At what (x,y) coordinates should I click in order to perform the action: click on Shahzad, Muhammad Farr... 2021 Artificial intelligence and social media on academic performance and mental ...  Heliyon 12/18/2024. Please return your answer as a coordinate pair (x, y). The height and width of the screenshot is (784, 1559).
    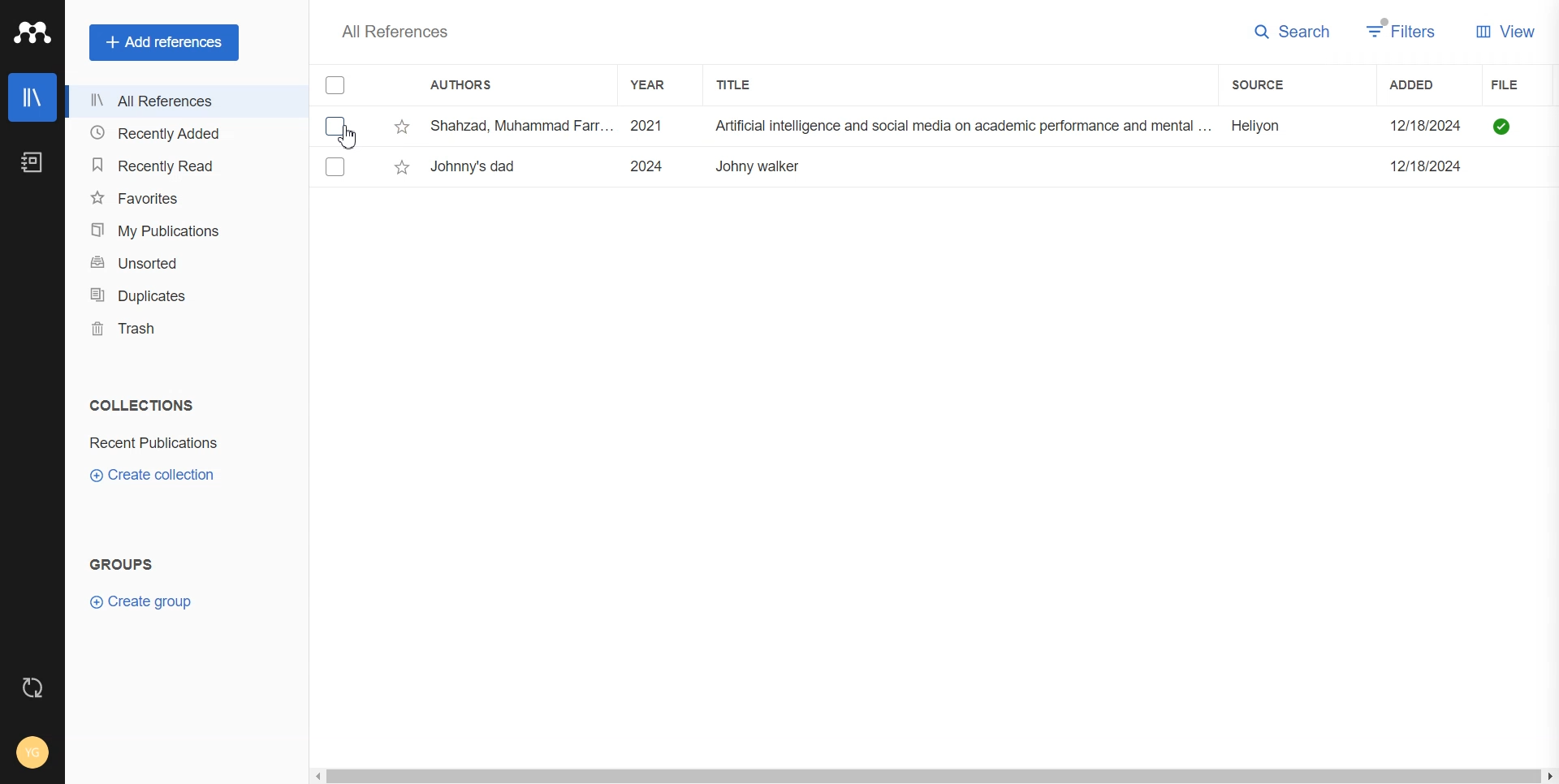
    Looking at the image, I should click on (952, 127).